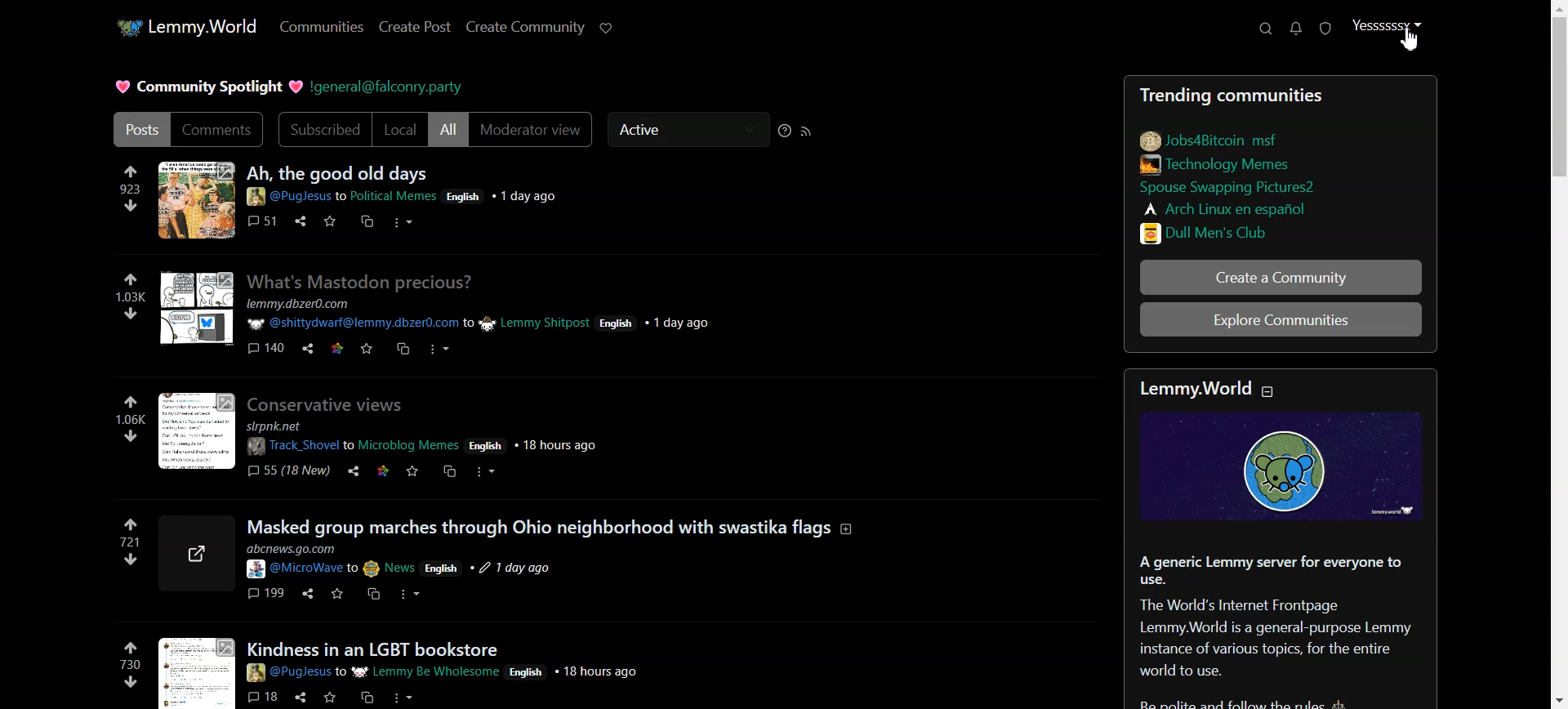 This screenshot has width=1568, height=709. What do you see at coordinates (415, 28) in the screenshot?
I see `Create Post` at bounding box center [415, 28].